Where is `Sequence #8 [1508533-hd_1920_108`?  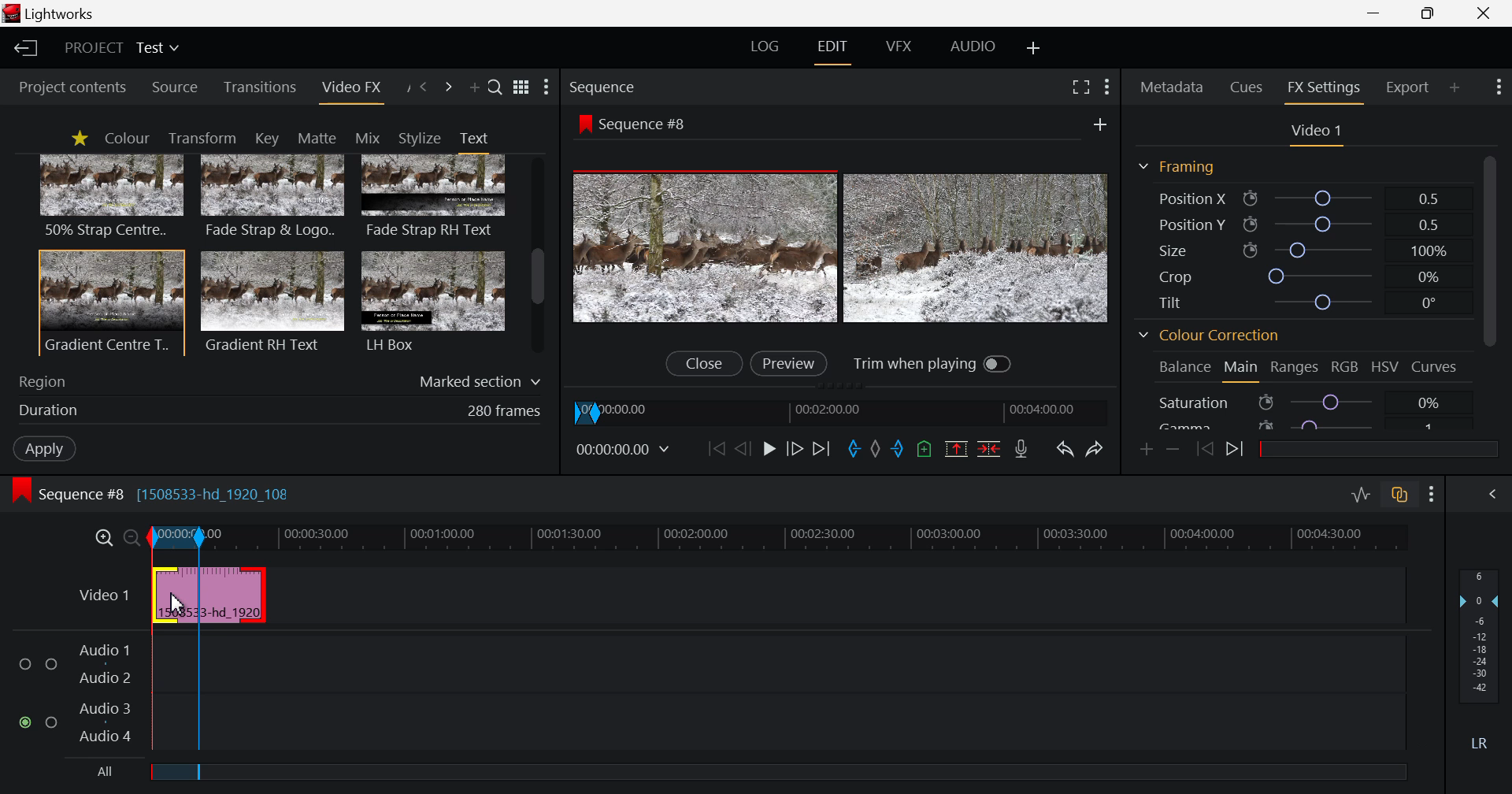
Sequence #8 [1508533-hd_1920_108 is located at coordinates (162, 493).